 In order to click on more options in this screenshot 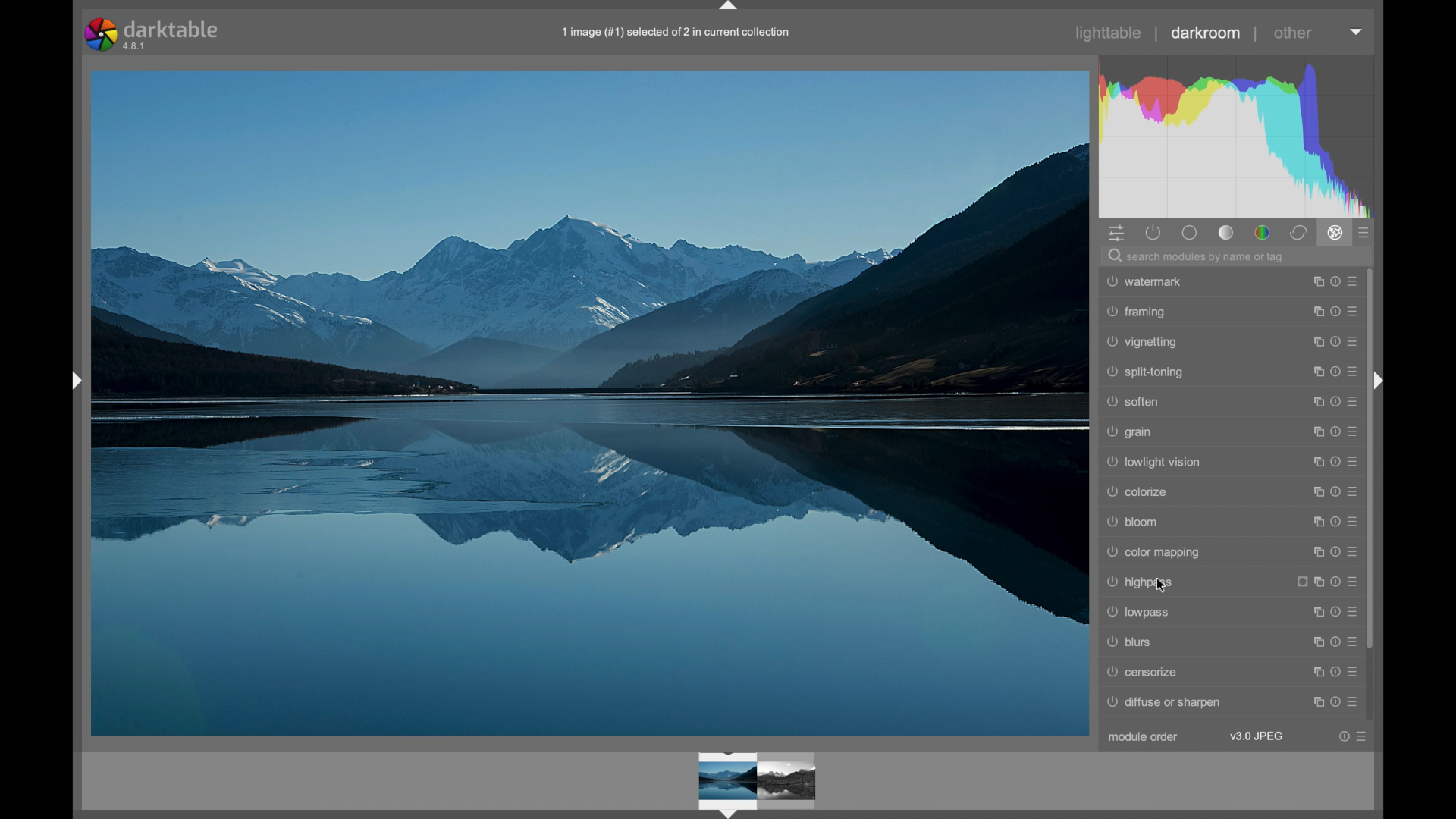, I will do `click(1334, 611)`.